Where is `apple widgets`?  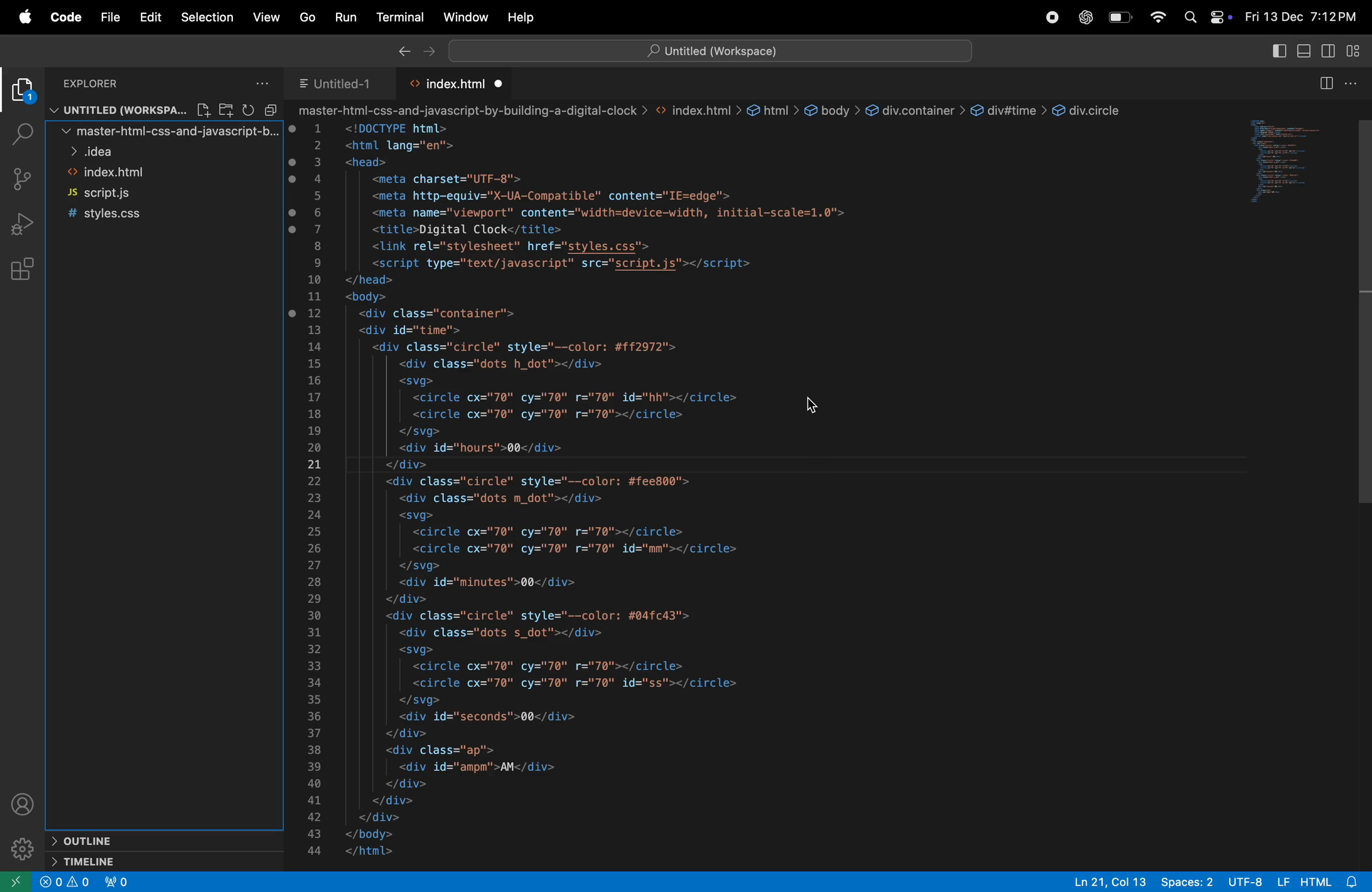
apple widgets is located at coordinates (1205, 17).